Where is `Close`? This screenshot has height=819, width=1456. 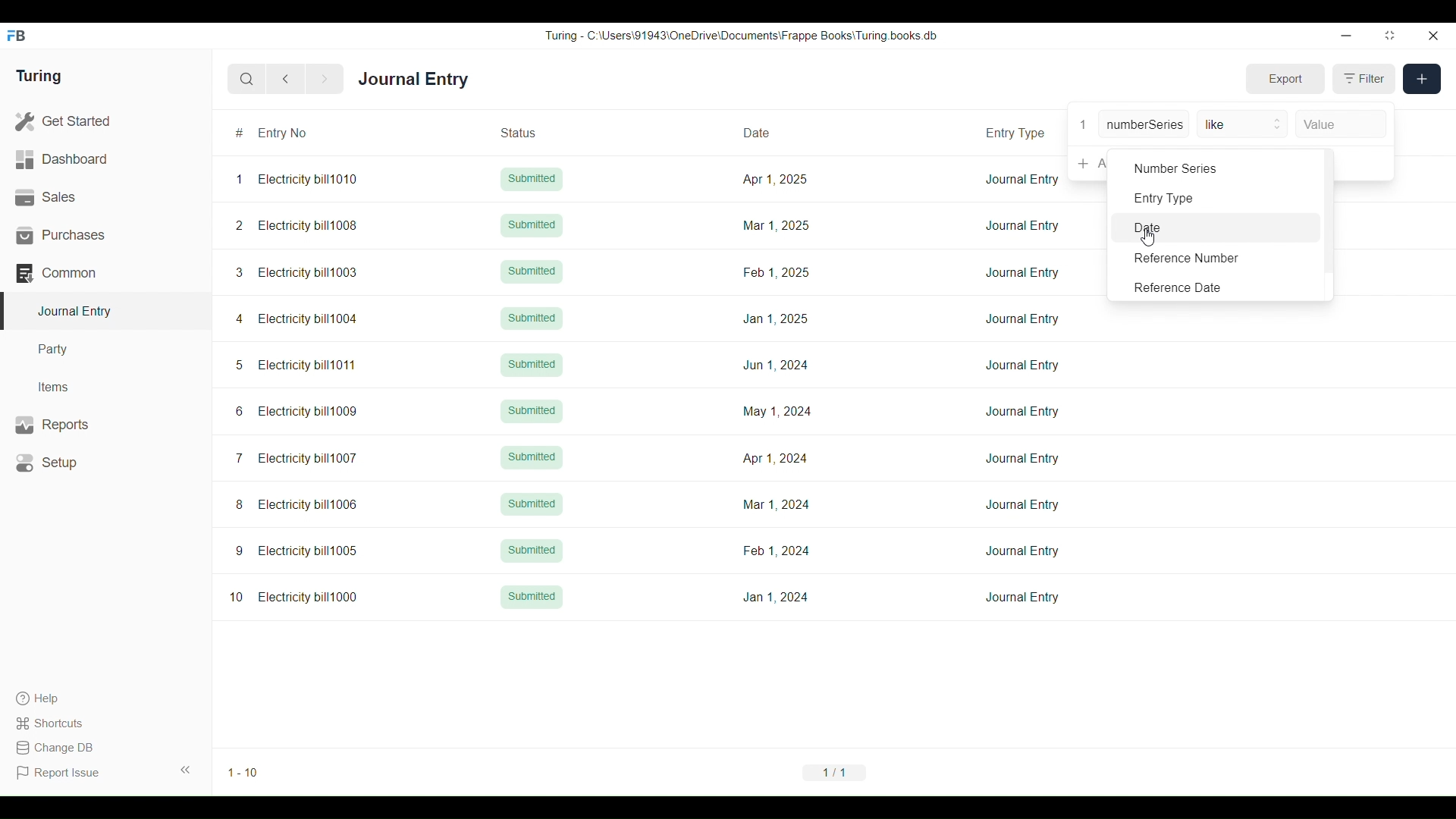 Close is located at coordinates (1433, 36).